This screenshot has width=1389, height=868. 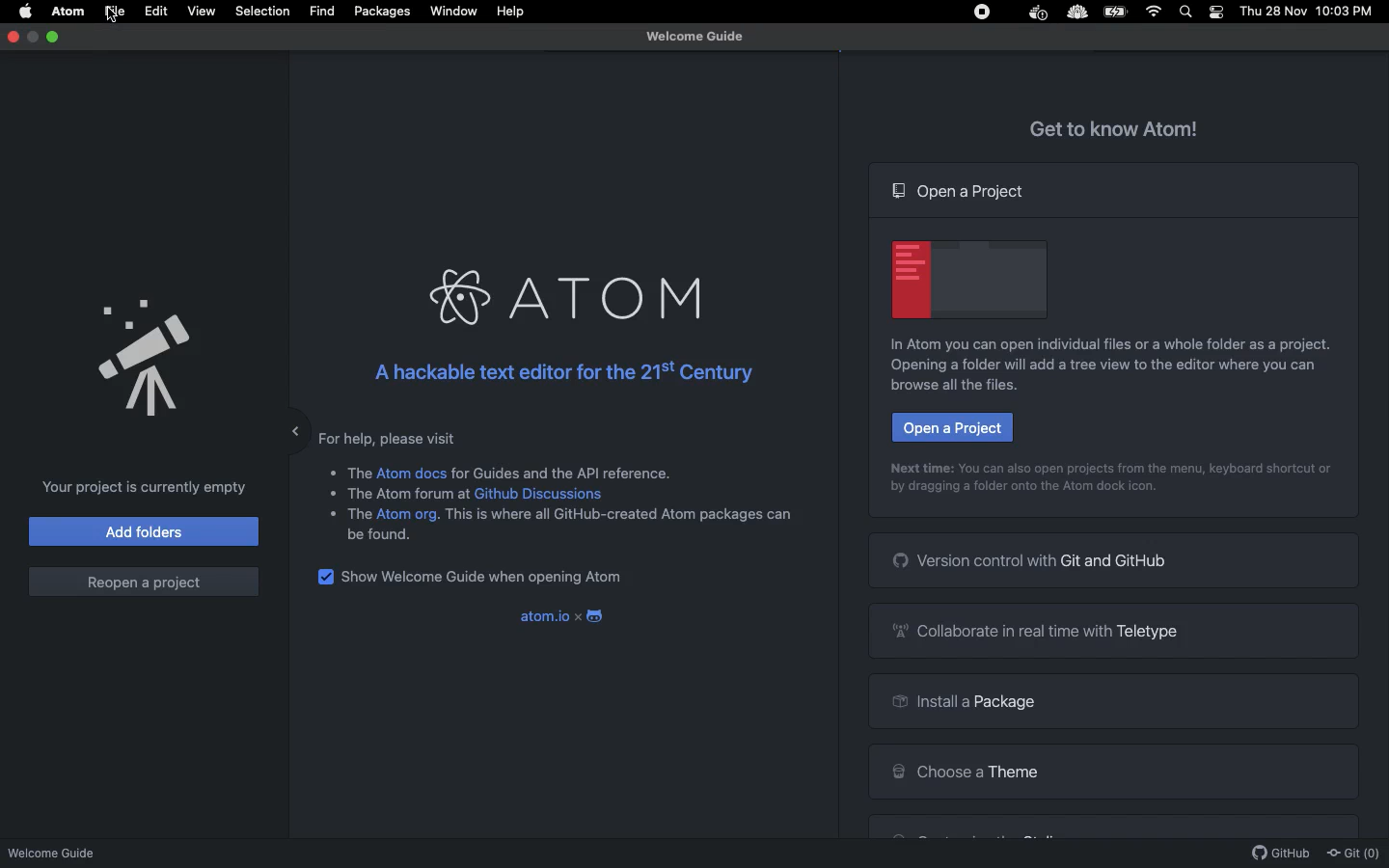 What do you see at coordinates (360, 470) in the screenshot?
I see `` at bounding box center [360, 470].